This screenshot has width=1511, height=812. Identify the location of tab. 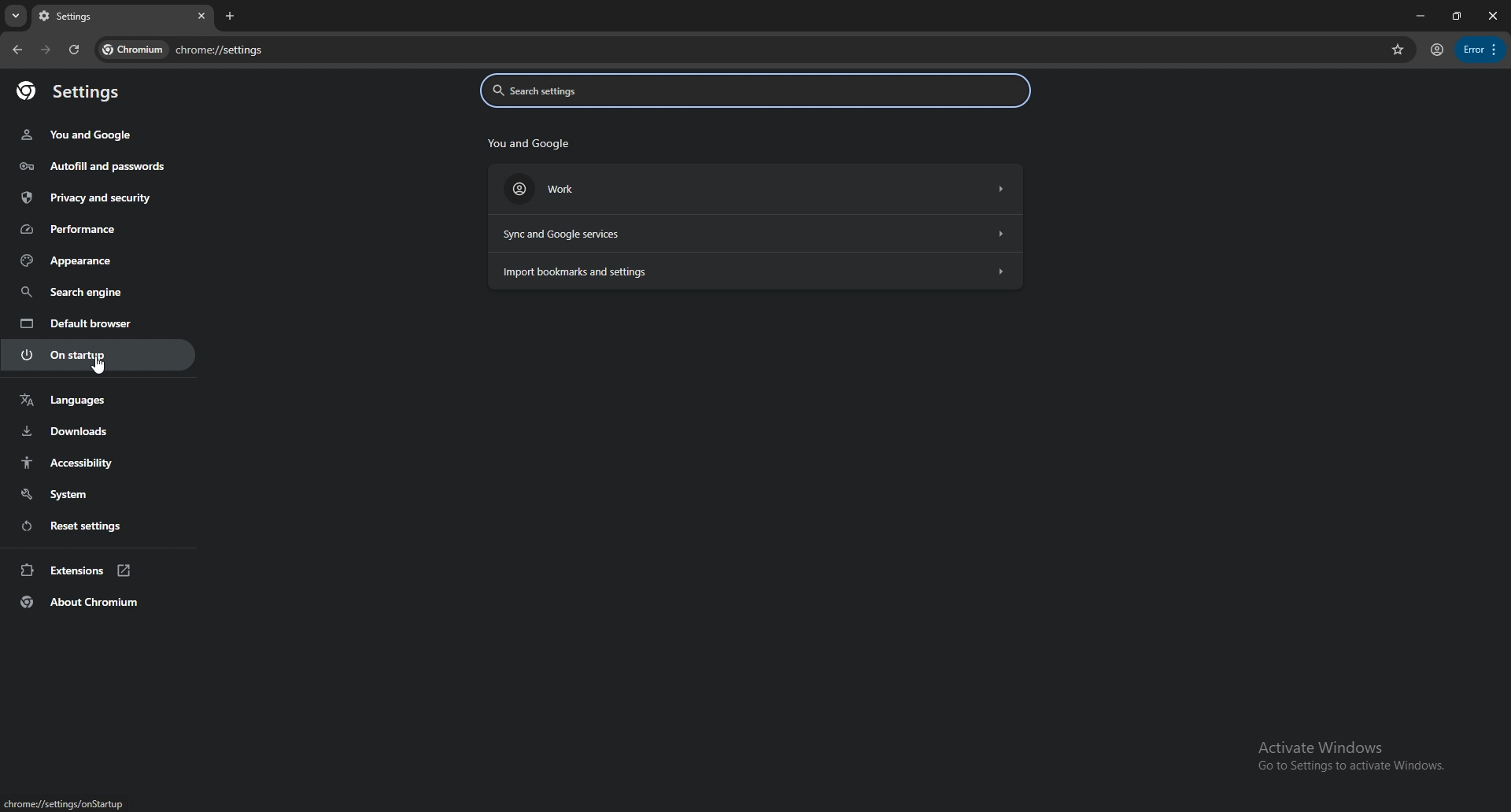
(108, 17).